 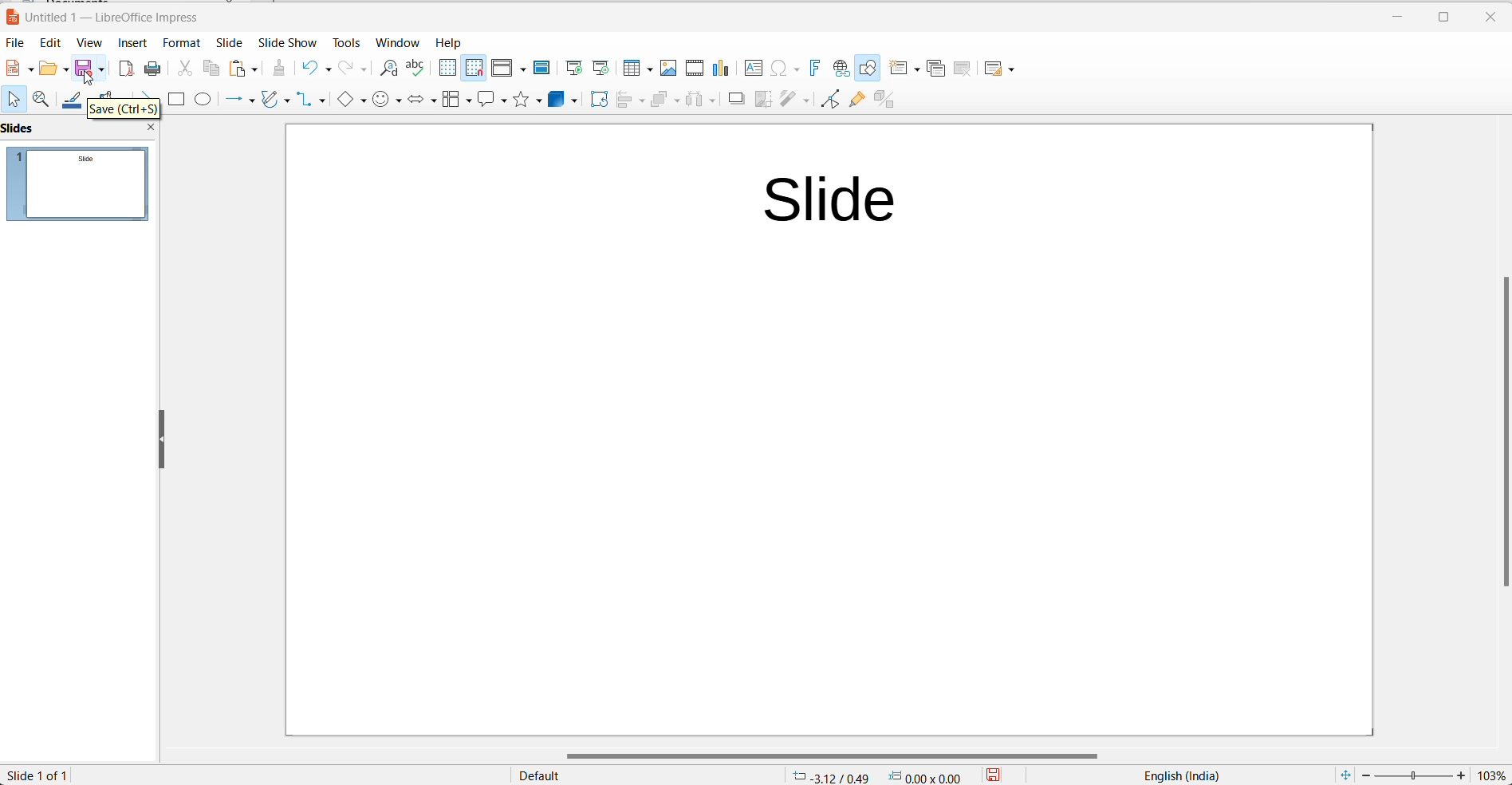 What do you see at coordinates (826, 429) in the screenshot?
I see `current slide` at bounding box center [826, 429].